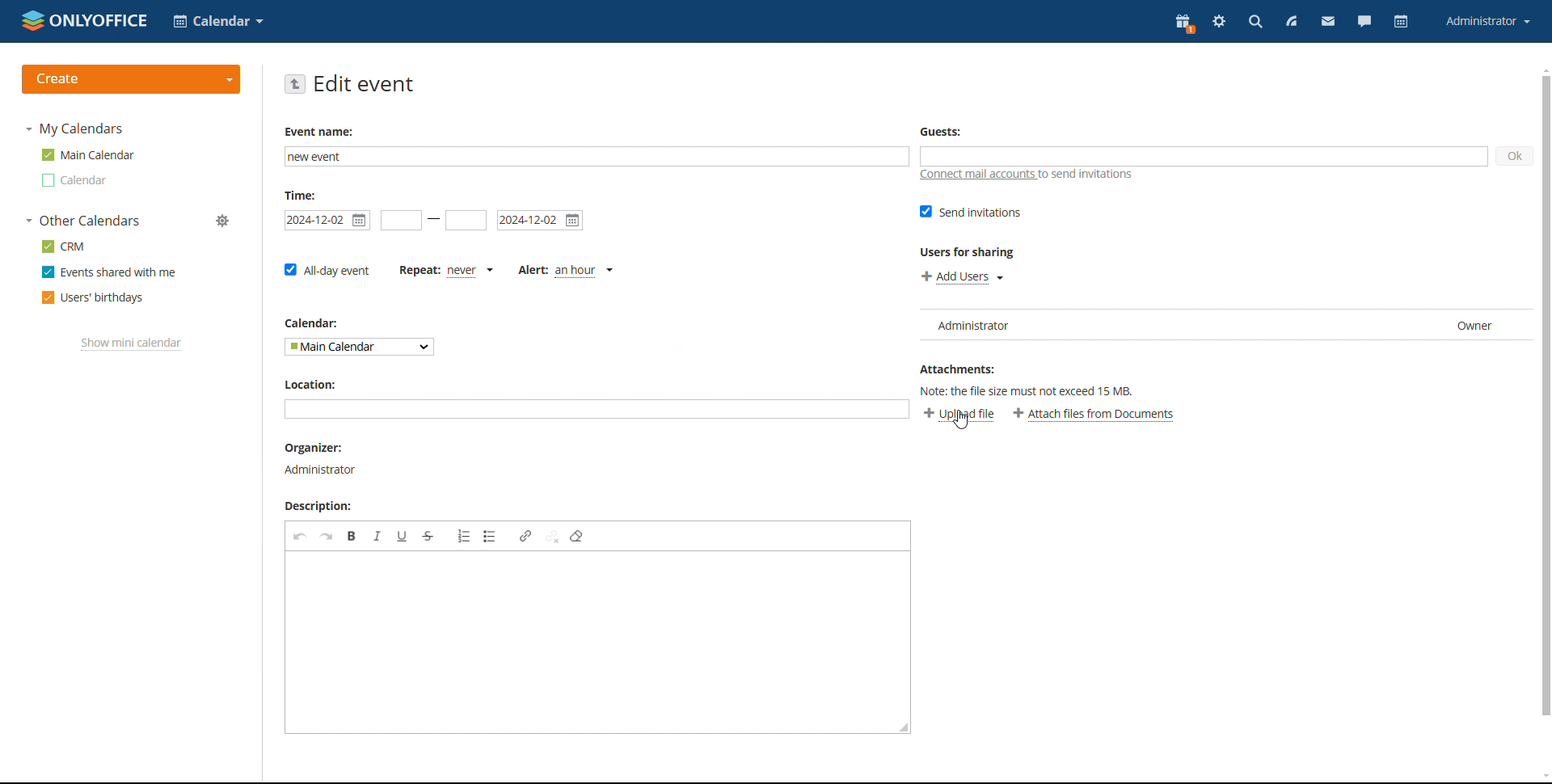 This screenshot has width=1552, height=784. I want to click on calendar, so click(1401, 21).